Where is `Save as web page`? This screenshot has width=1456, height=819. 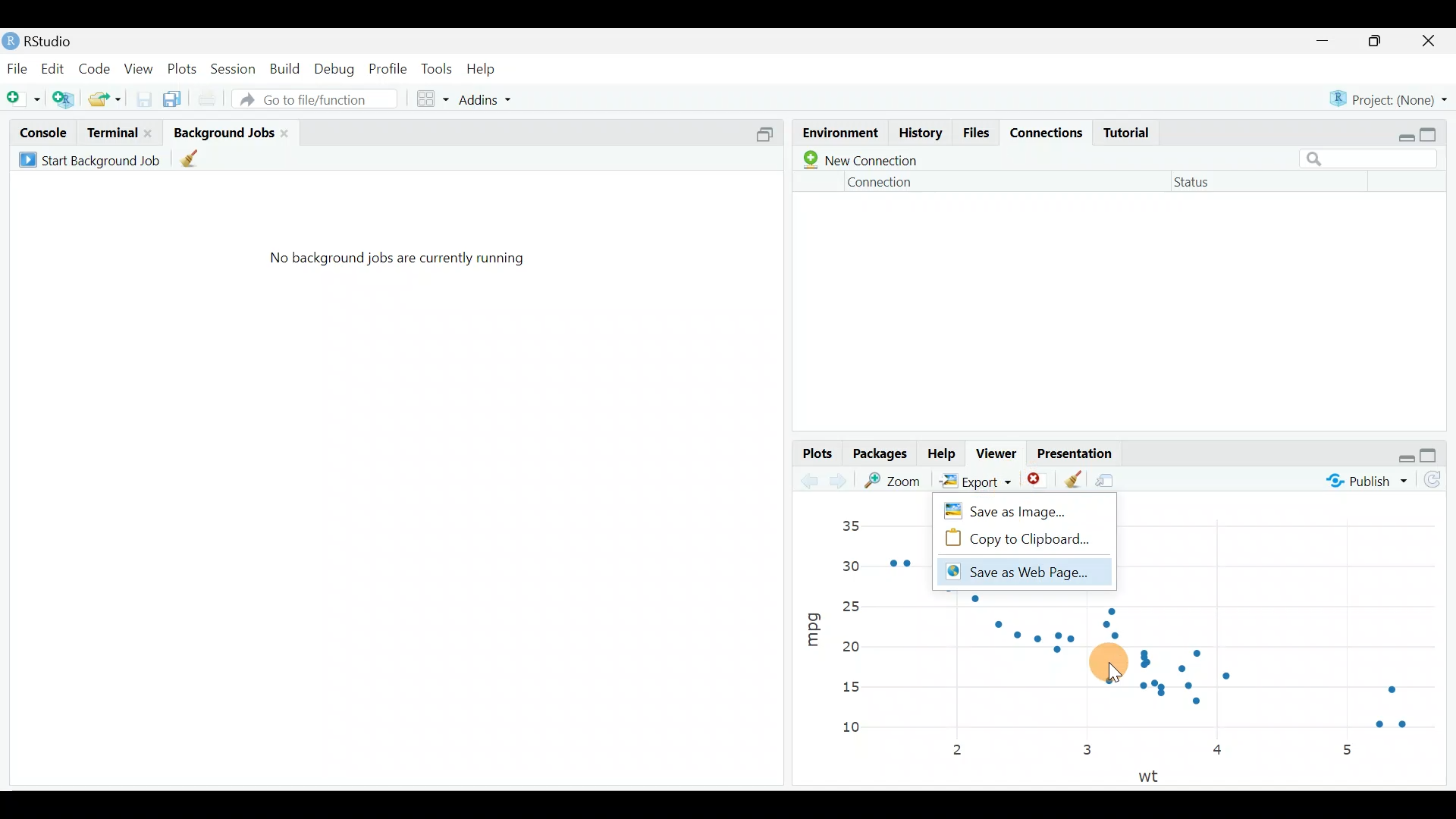 Save as web page is located at coordinates (1022, 573).